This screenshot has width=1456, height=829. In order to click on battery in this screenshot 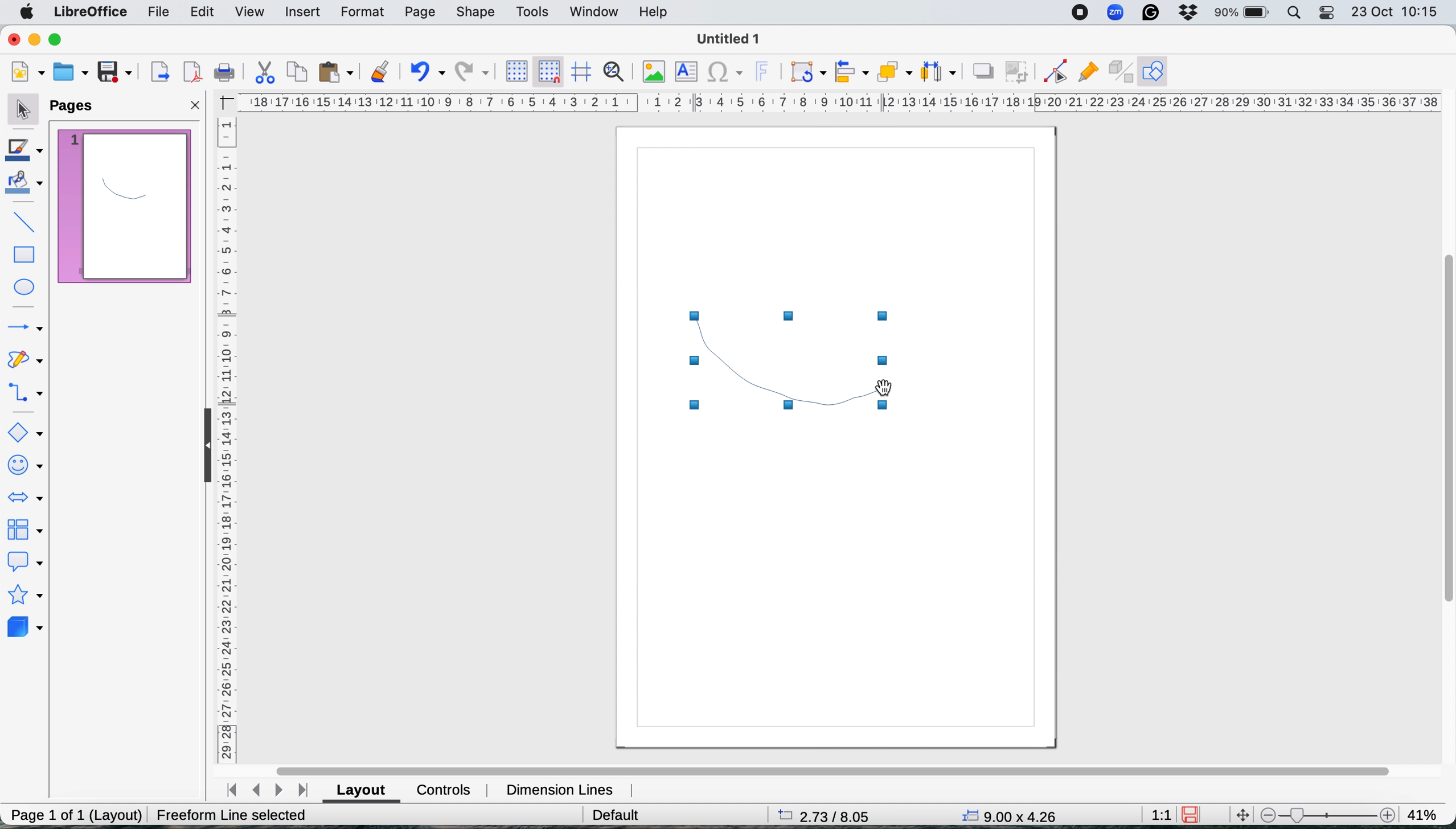, I will do `click(1242, 14)`.